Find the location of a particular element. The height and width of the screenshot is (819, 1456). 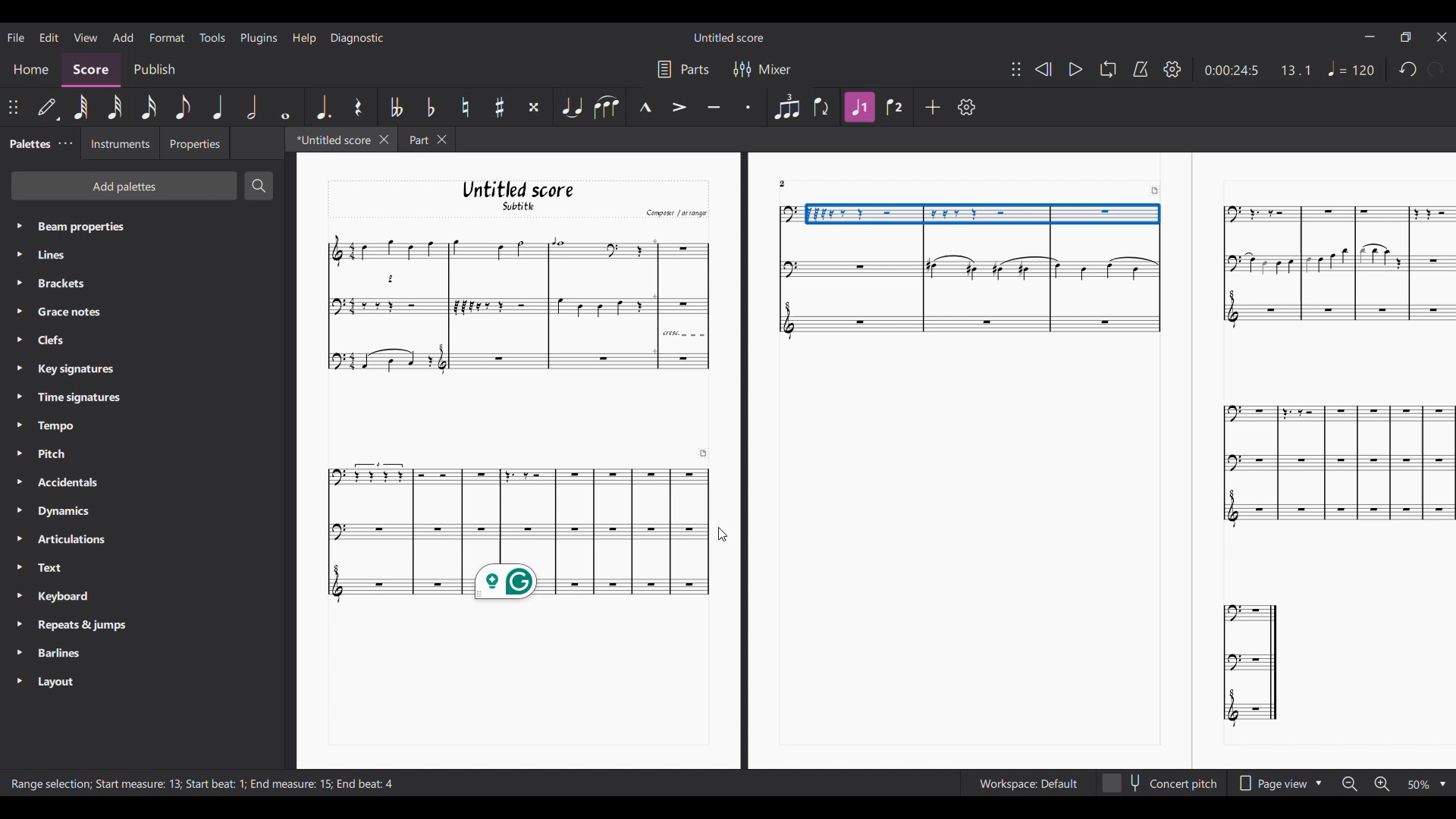

Close interface is located at coordinates (1442, 37).